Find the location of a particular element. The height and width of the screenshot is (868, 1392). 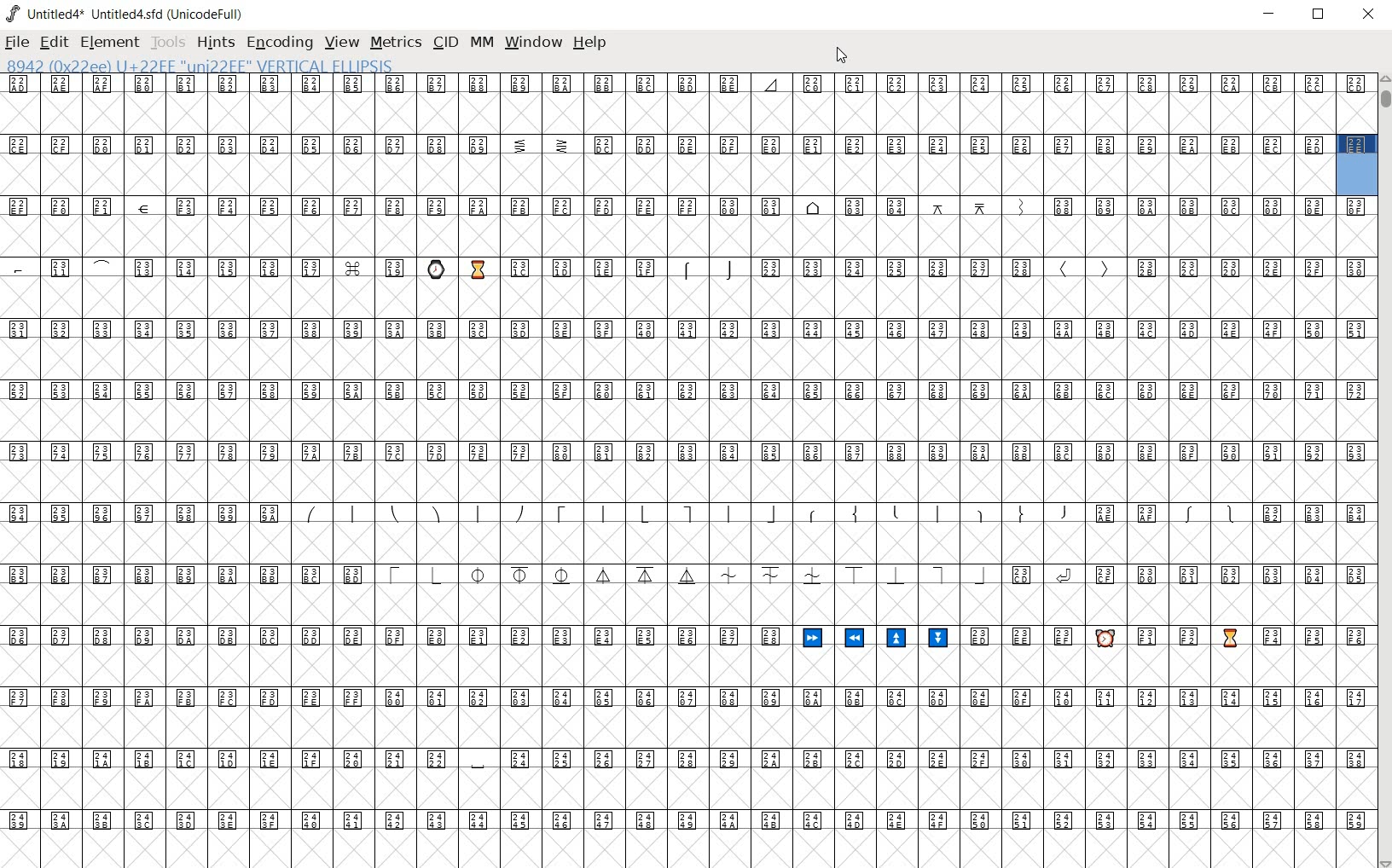

WINDOW is located at coordinates (536, 42).